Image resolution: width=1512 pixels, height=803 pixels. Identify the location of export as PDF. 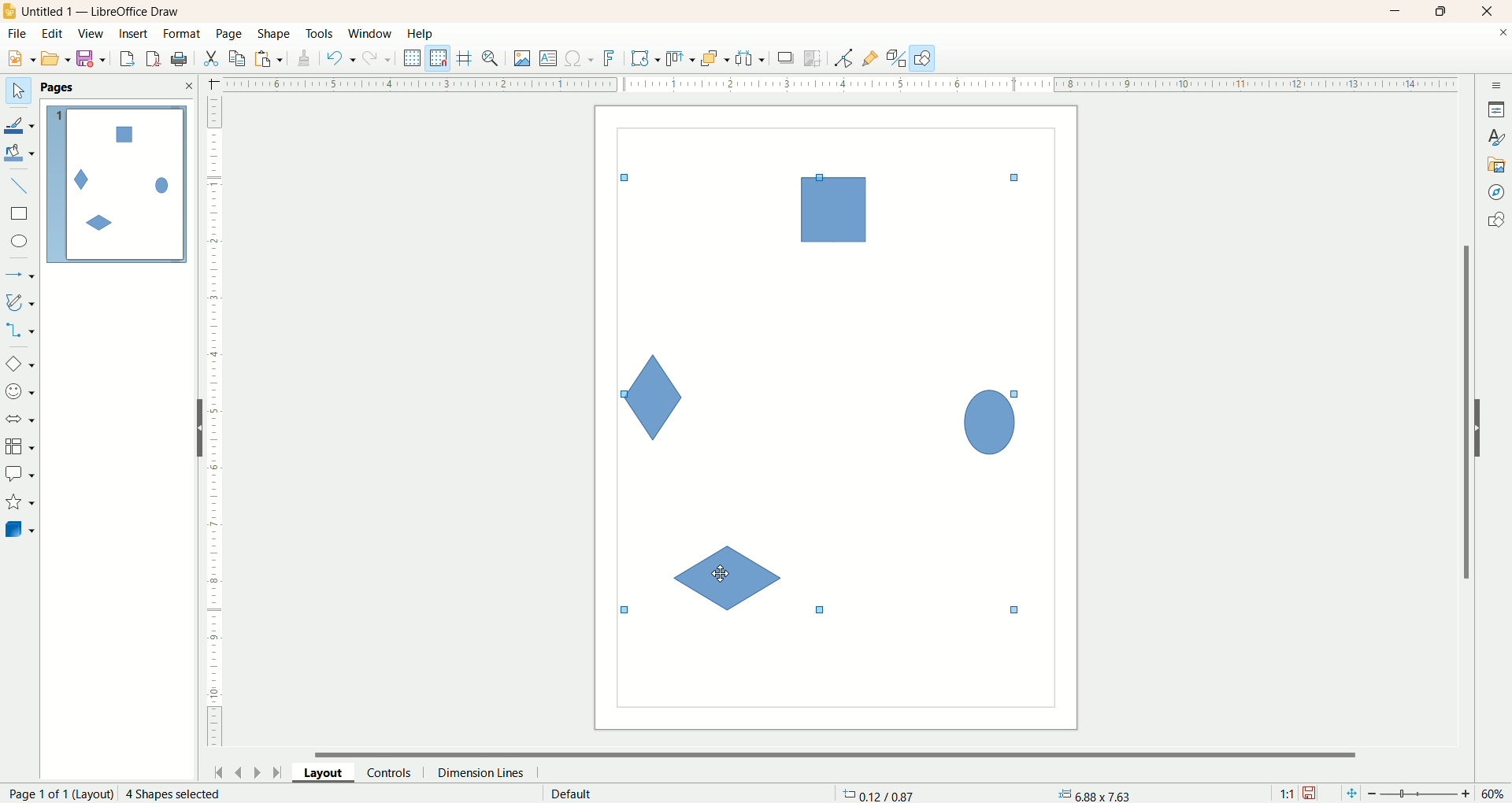
(181, 60).